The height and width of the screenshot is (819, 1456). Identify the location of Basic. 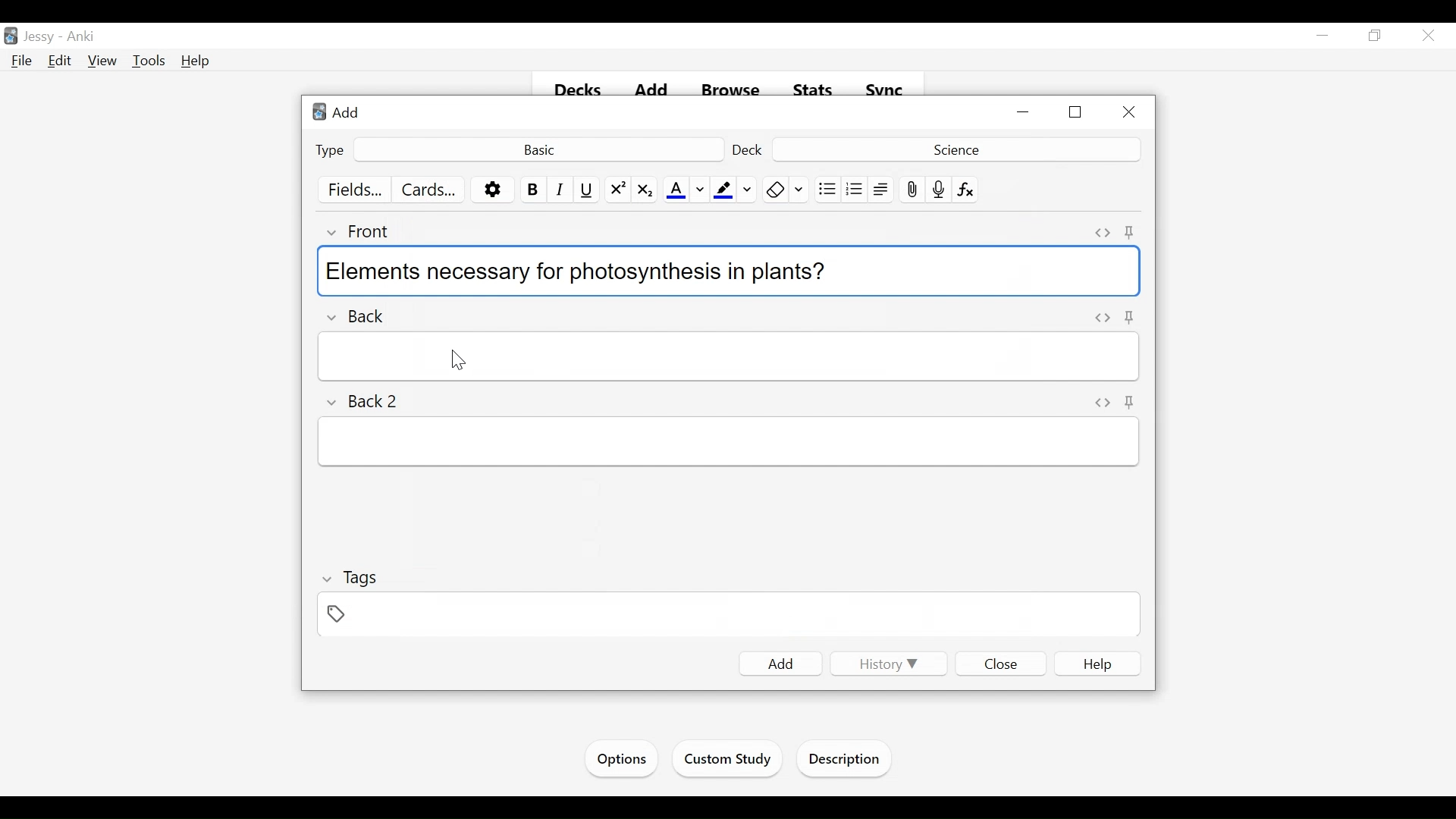
(538, 149).